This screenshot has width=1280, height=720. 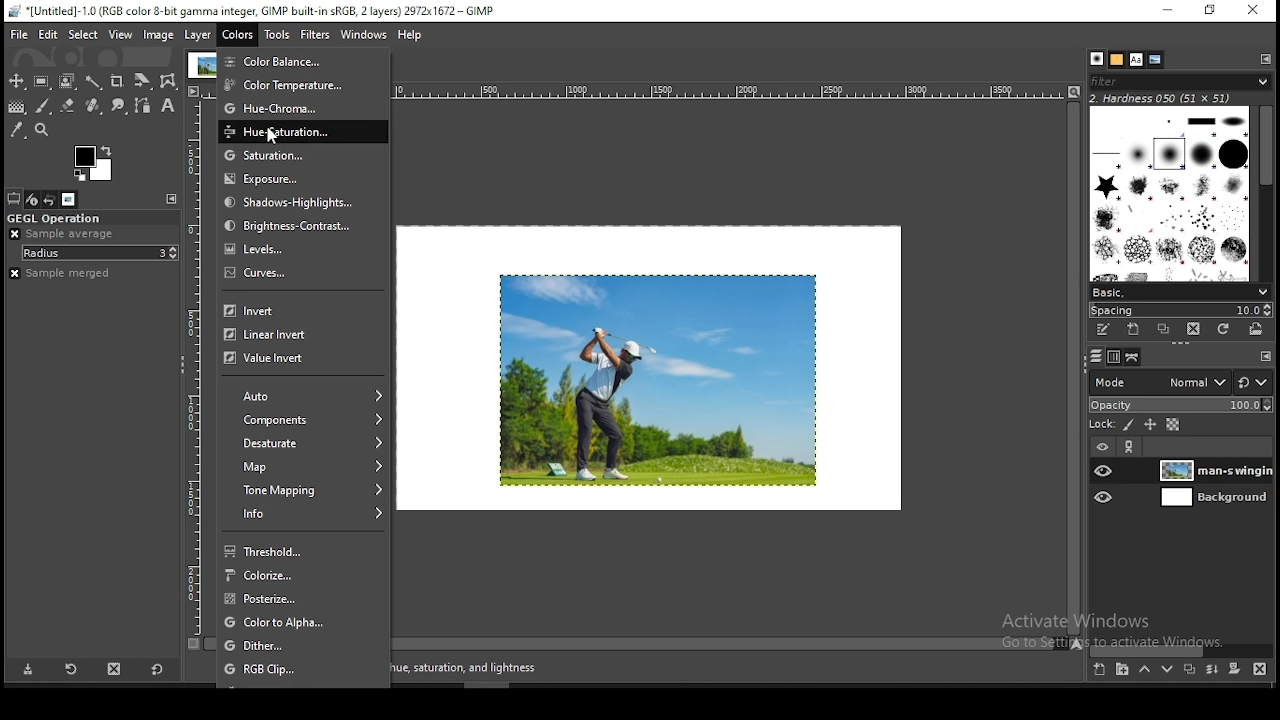 What do you see at coordinates (411, 33) in the screenshot?
I see `help` at bounding box center [411, 33].